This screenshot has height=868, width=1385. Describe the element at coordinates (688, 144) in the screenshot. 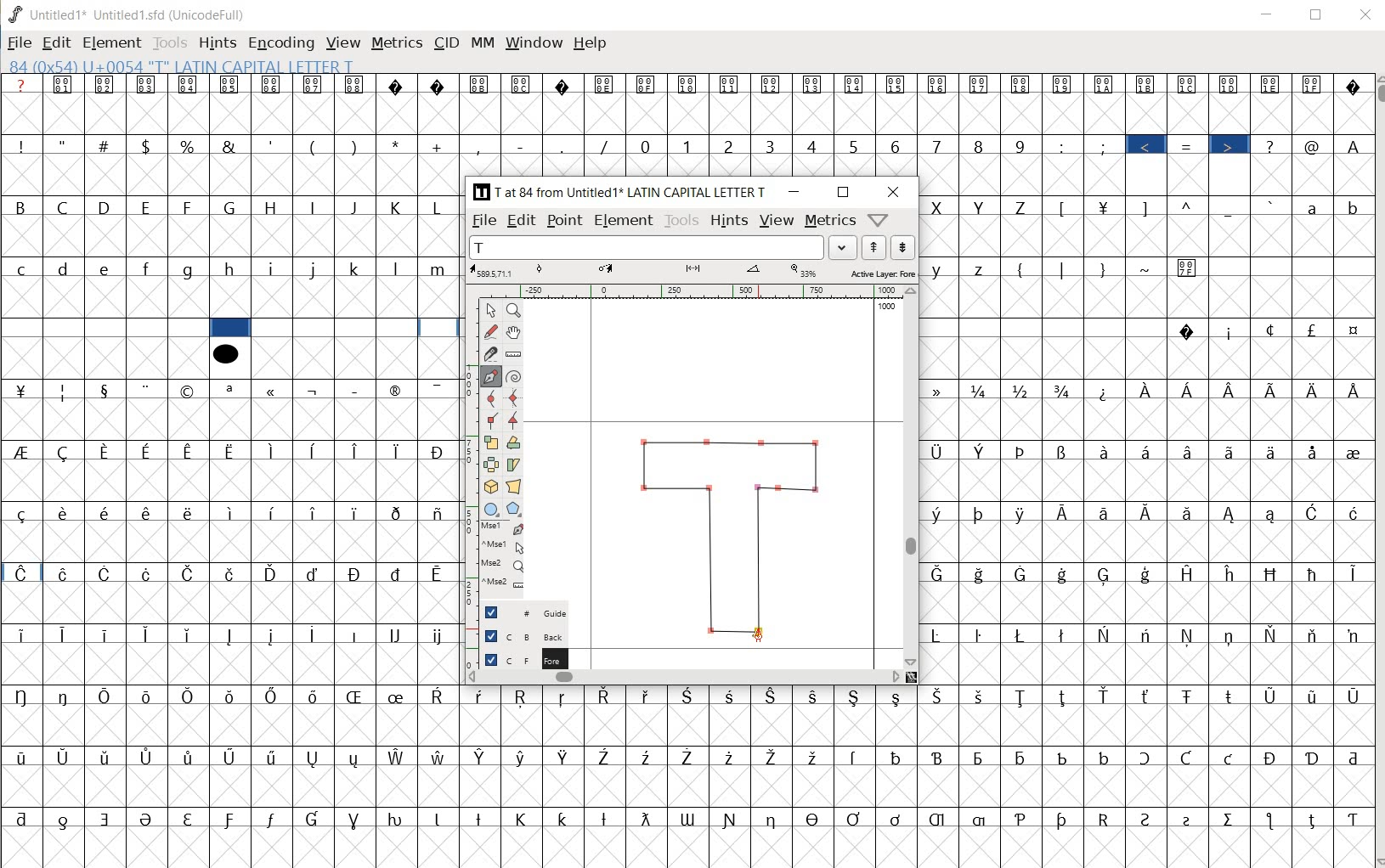

I see `1` at that location.